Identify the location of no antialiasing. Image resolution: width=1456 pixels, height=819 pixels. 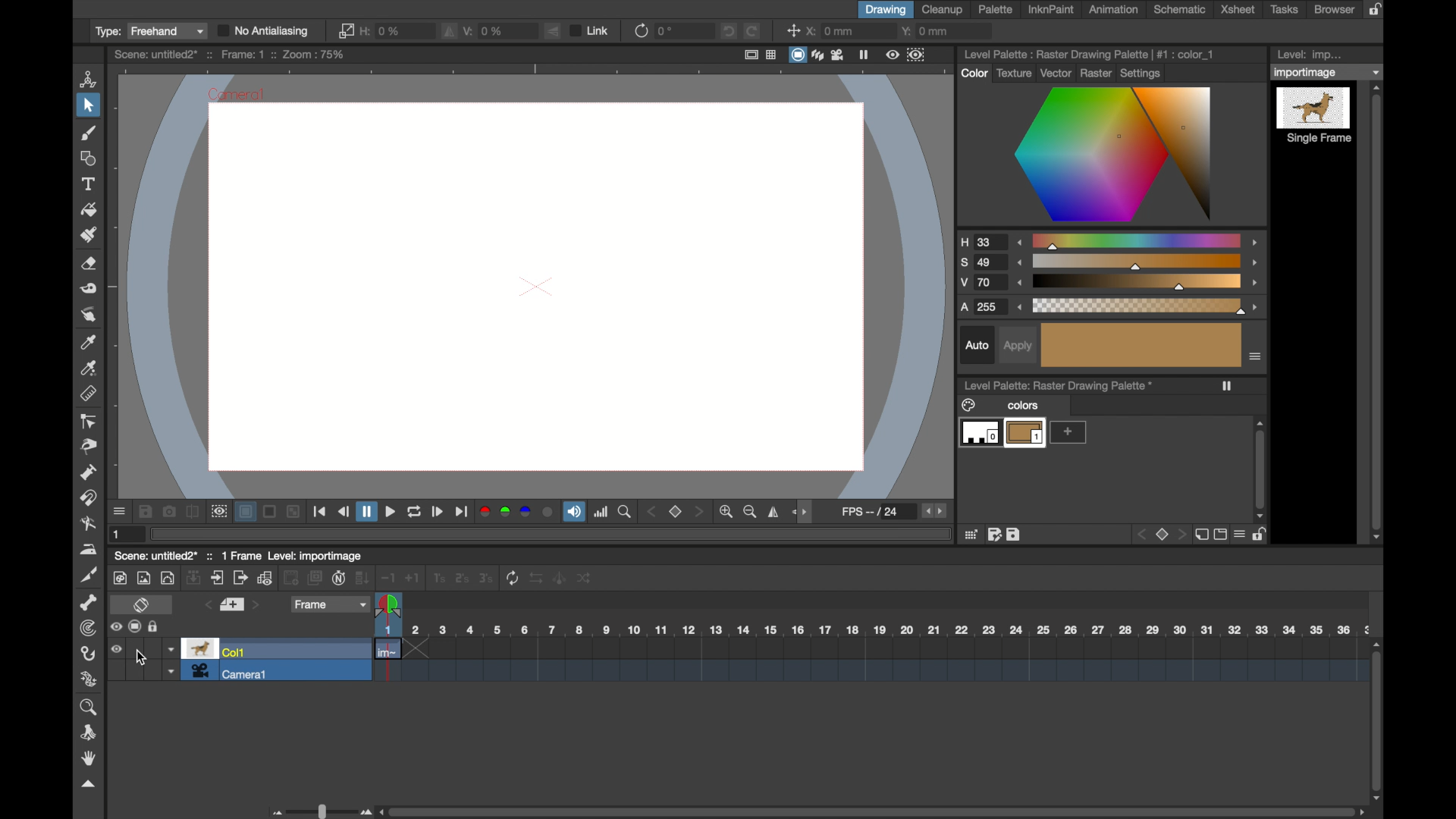
(264, 31).